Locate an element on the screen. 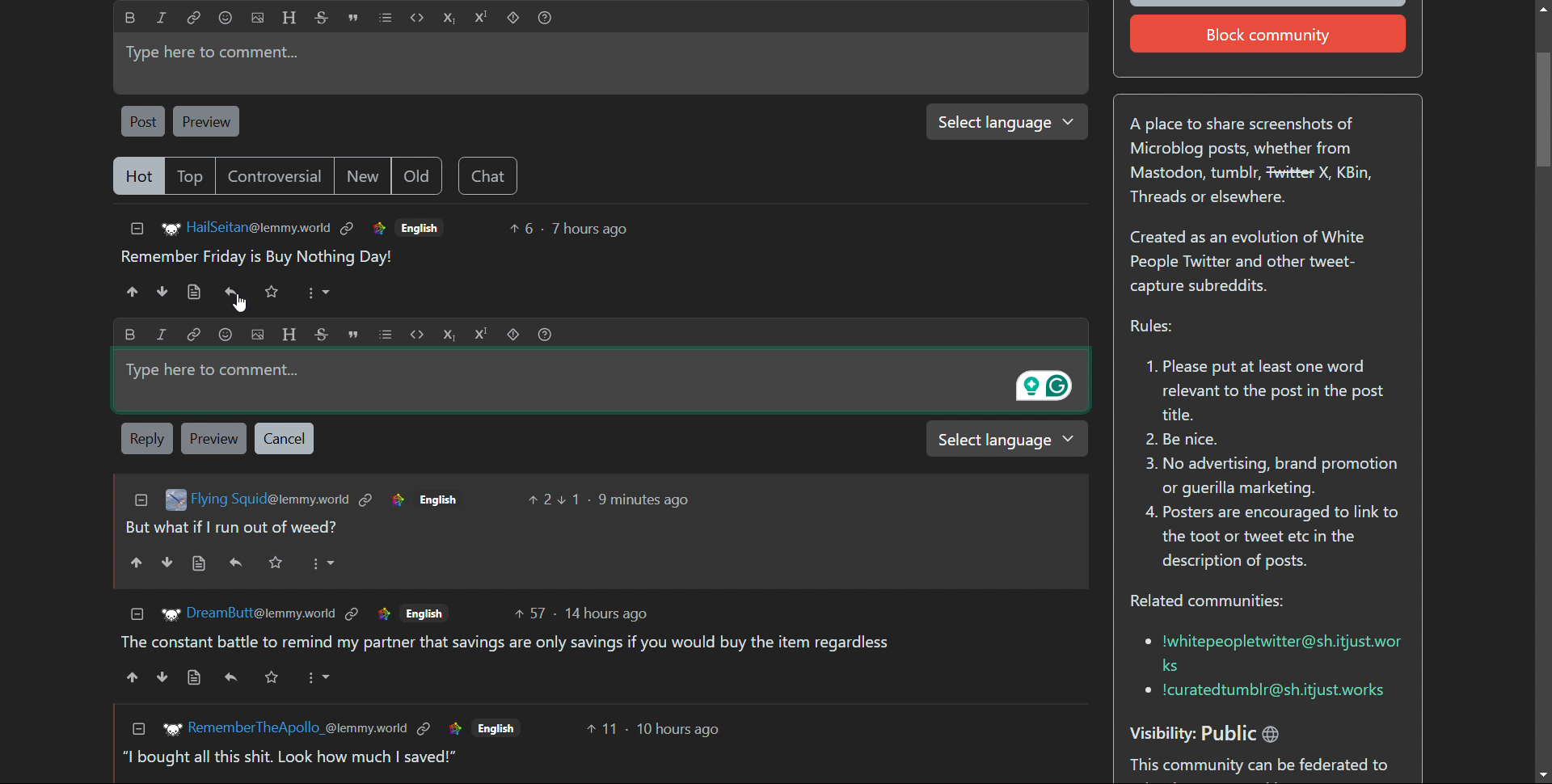  Related communities: is located at coordinates (1217, 602).